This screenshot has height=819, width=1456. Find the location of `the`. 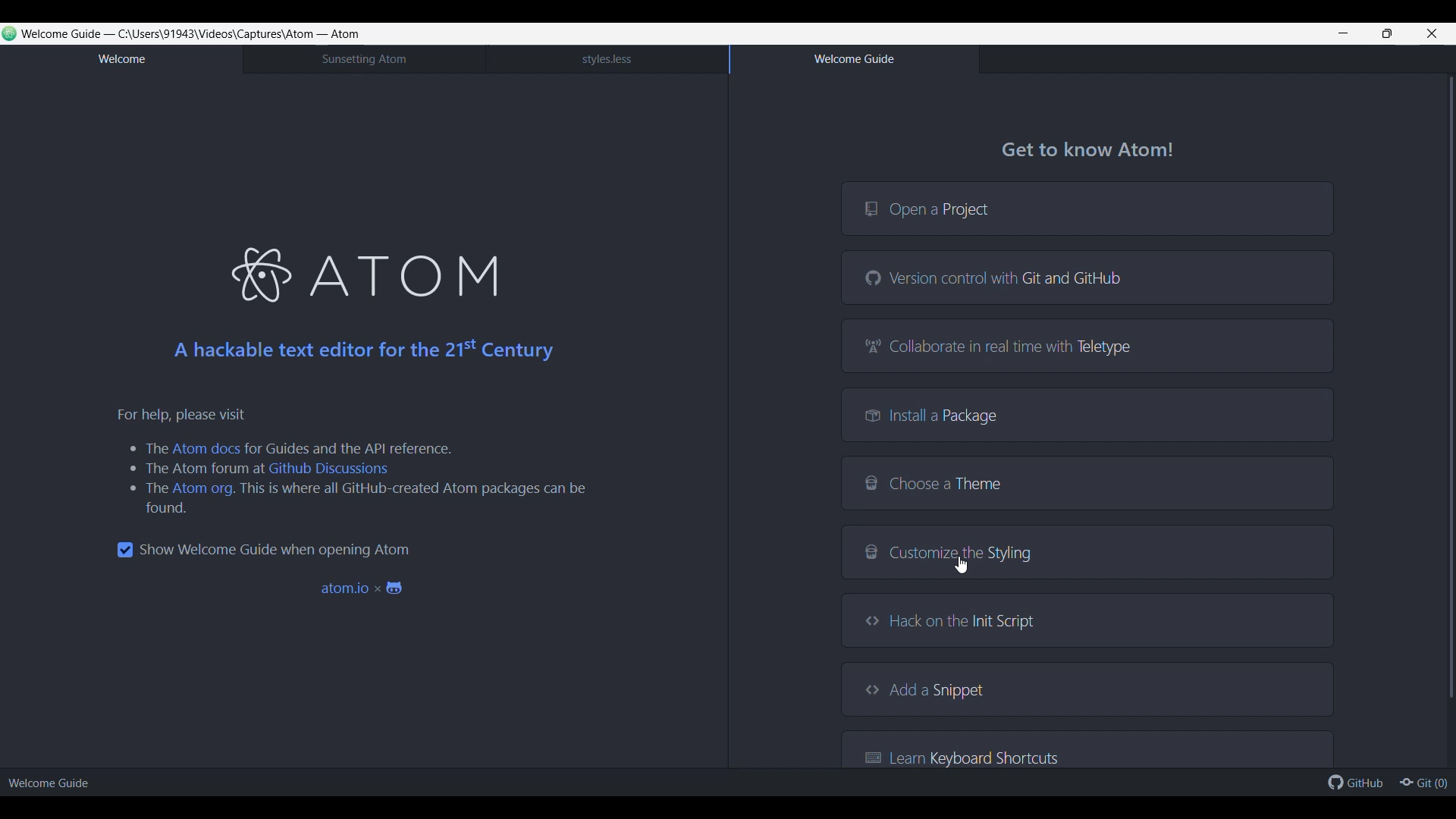

the is located at coordinates (145, 489).